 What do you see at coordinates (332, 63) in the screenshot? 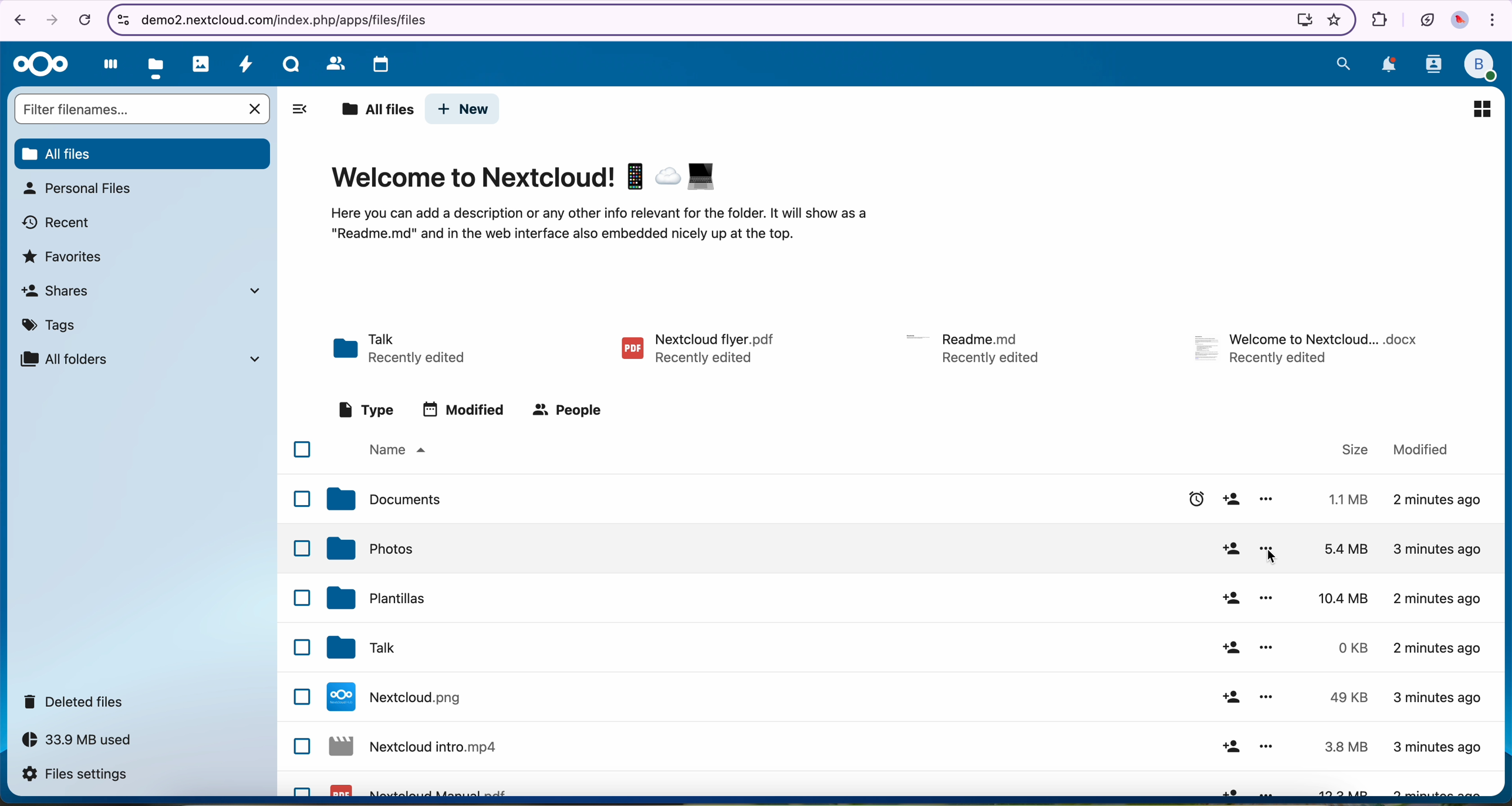
I see `contacts` at bounding box center [332, 63].